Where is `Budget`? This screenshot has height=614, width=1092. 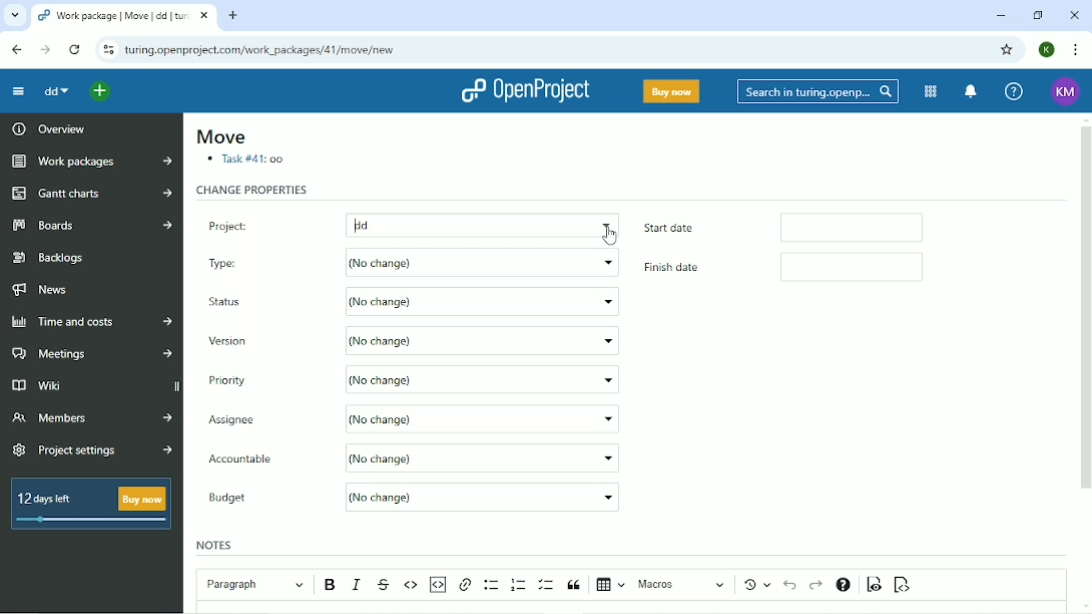
Budget is located at coordinates (232, 499).